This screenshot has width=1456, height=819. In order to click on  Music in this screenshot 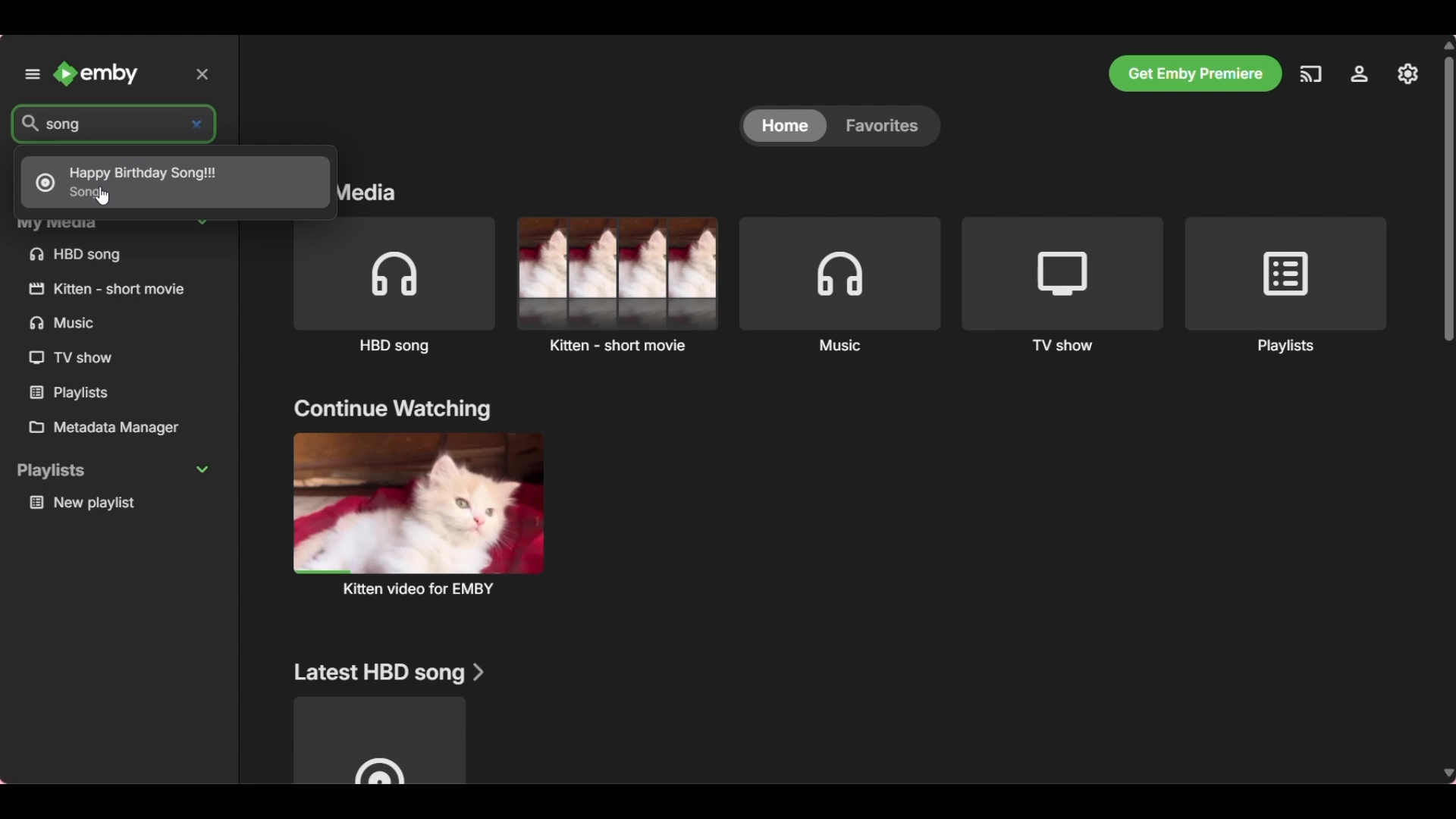, I will do `click(69, 324)`.